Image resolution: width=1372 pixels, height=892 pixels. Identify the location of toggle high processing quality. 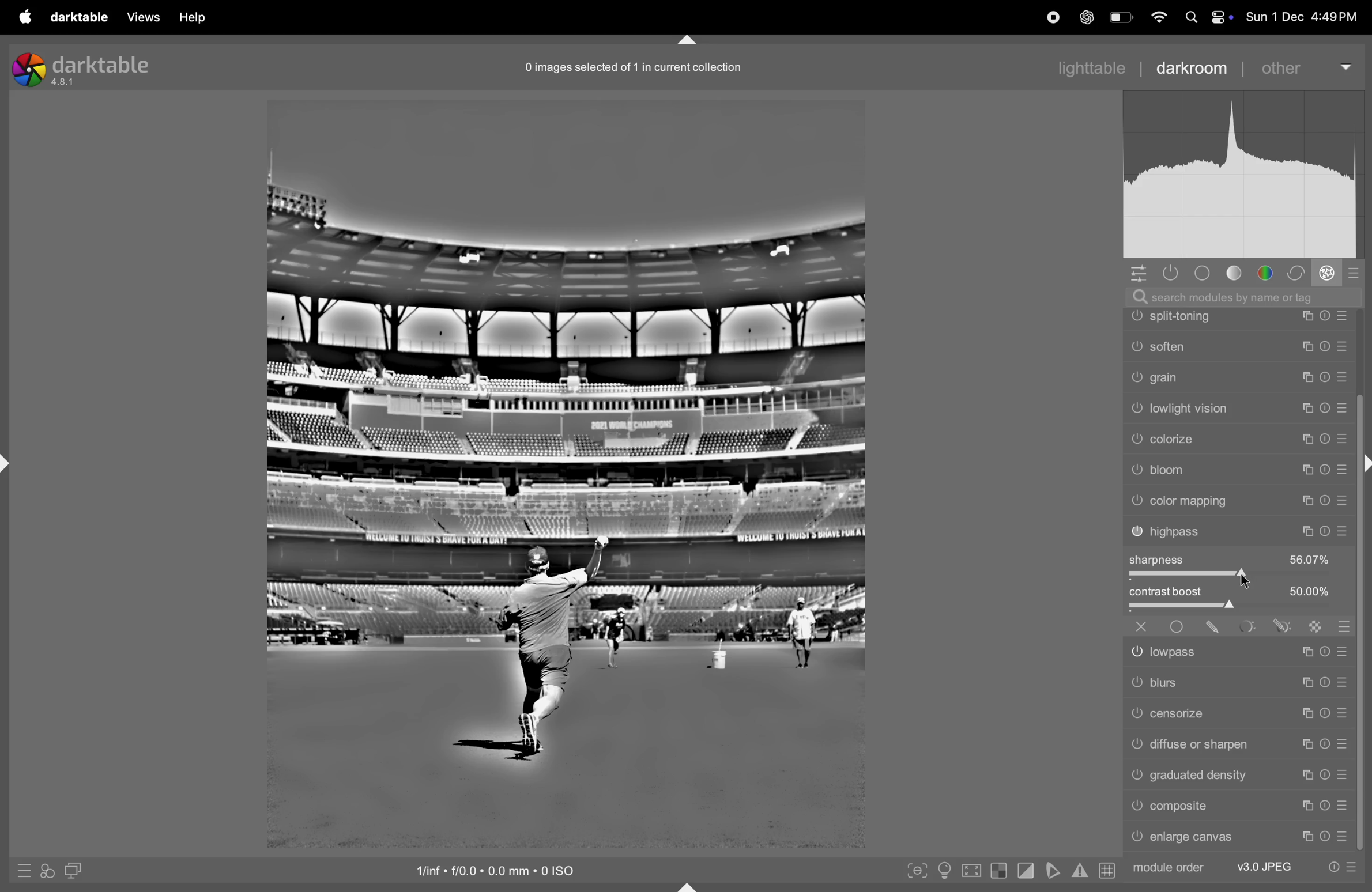
(971, 870).